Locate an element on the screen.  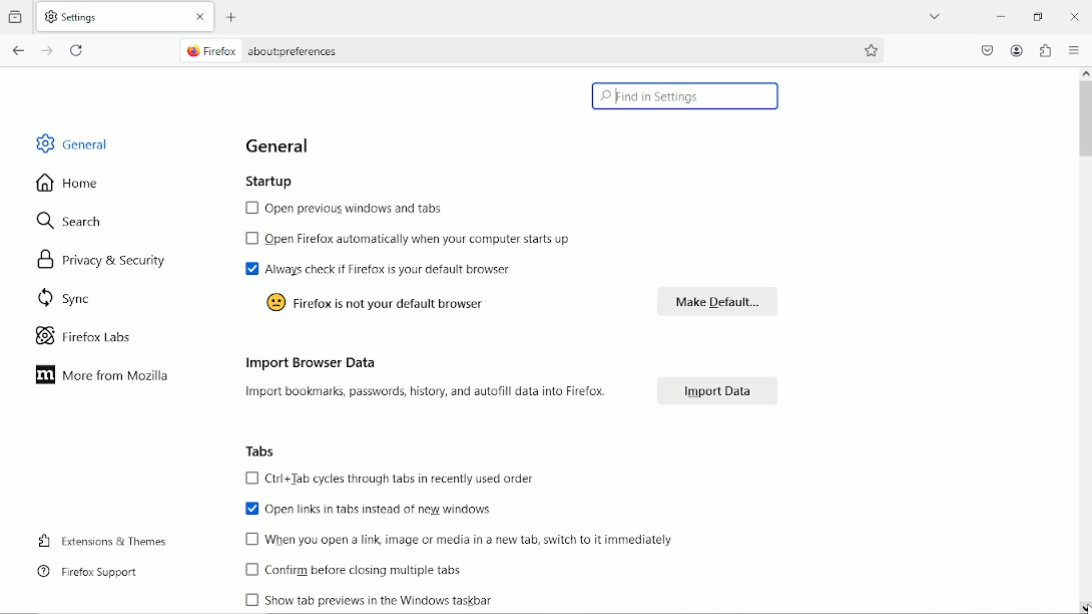
find in settings is located at coordinates (685, 96).